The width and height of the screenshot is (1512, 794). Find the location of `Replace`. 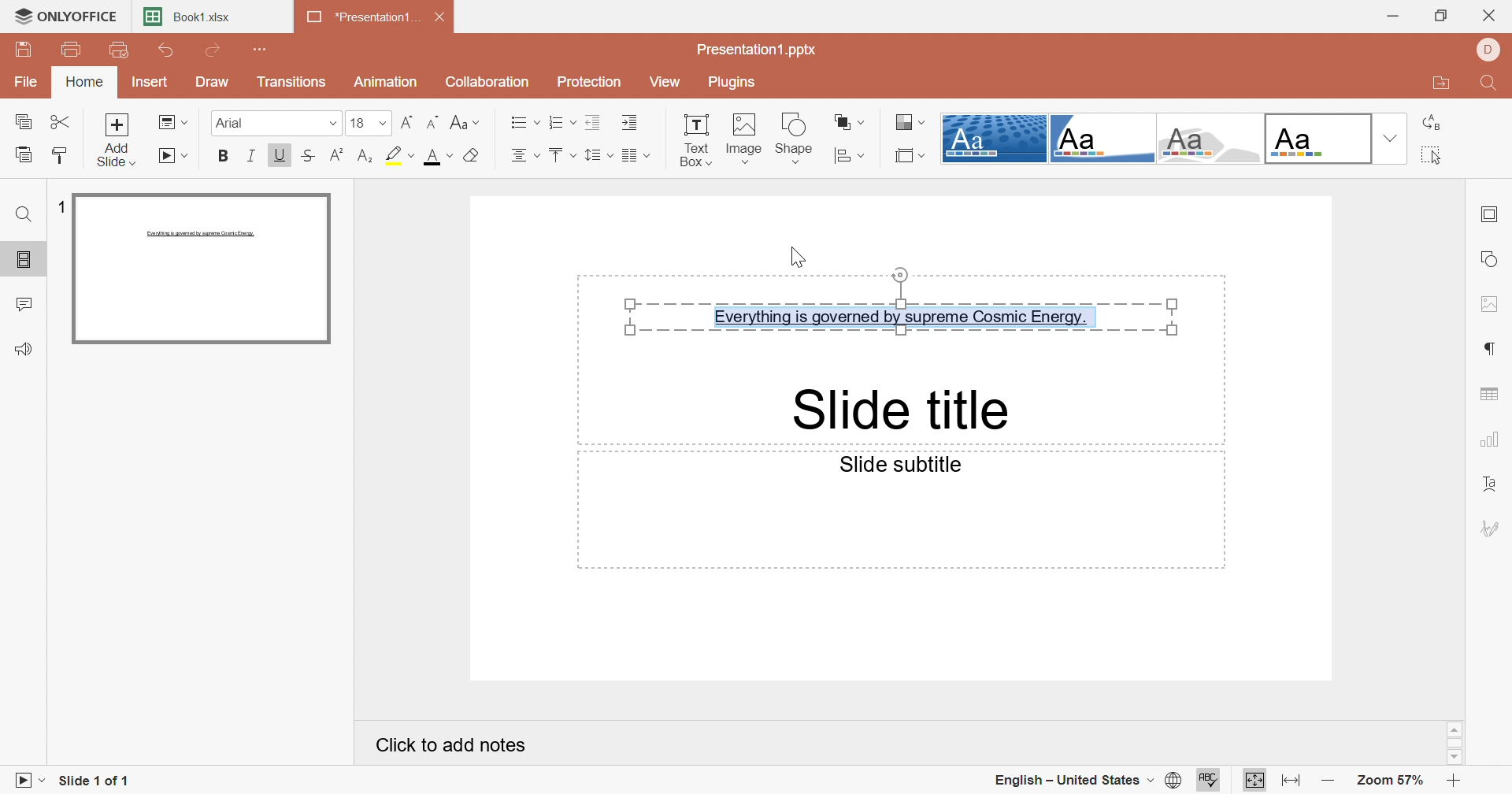

Replace is located at coordinates (1432, 120).